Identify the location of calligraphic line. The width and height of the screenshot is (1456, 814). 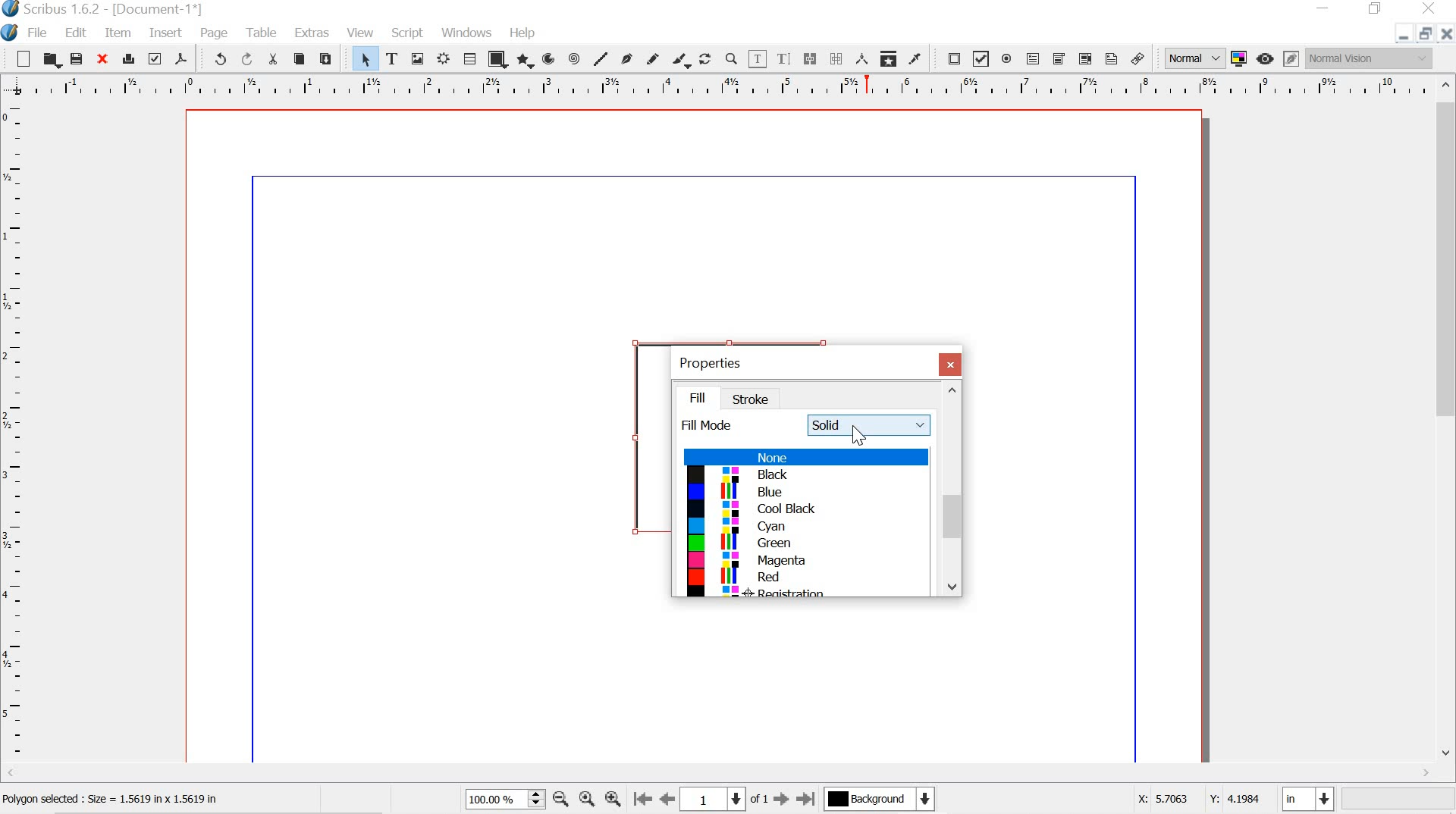
(682, 58).